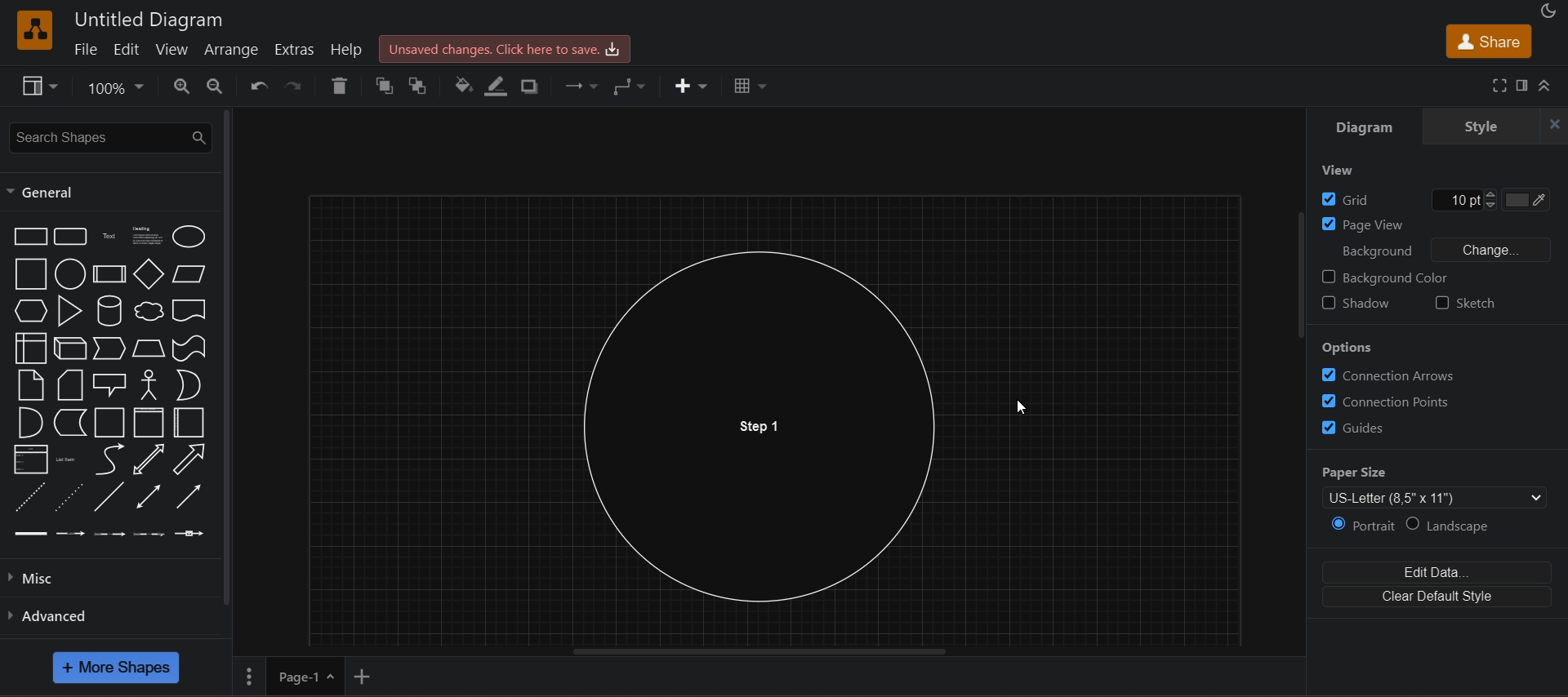  What do you see at coordinates (150, 311) in the screenshot?
I see `cloud` at bounding box center [150, 311].